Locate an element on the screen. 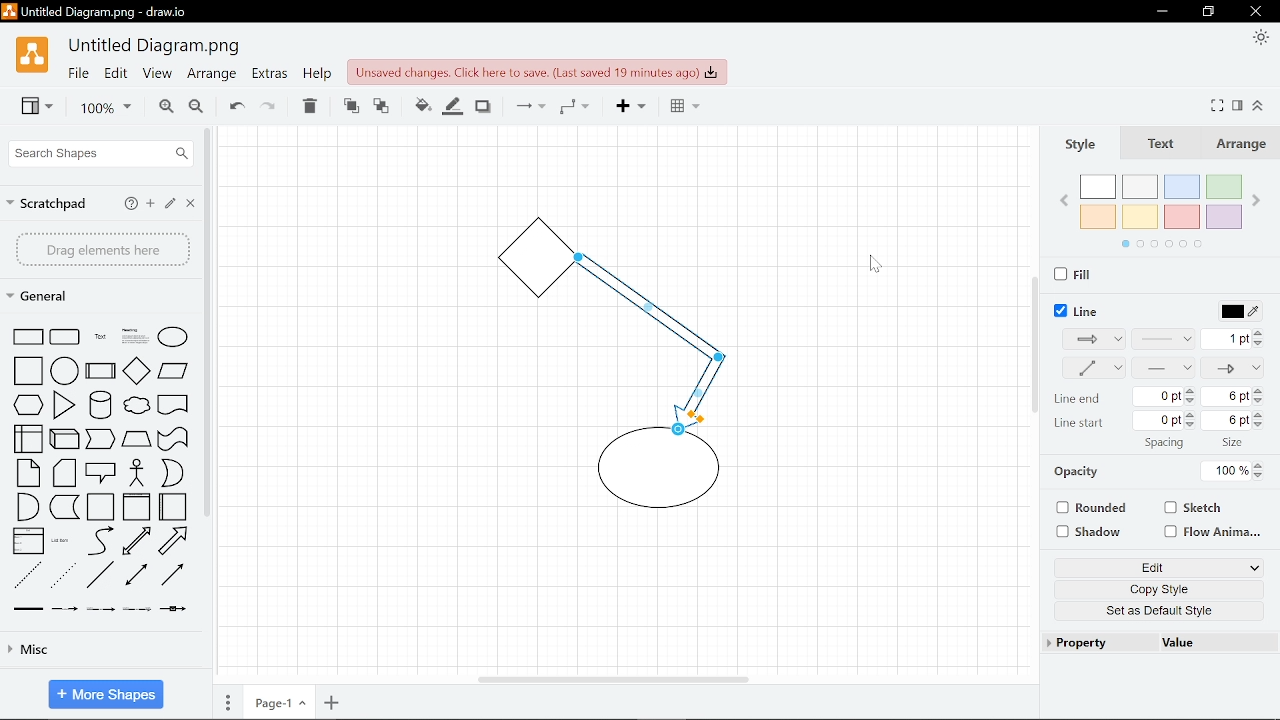 The width and height of the screenshot is (1280, 720). shape is located at coordinates (28, 473).